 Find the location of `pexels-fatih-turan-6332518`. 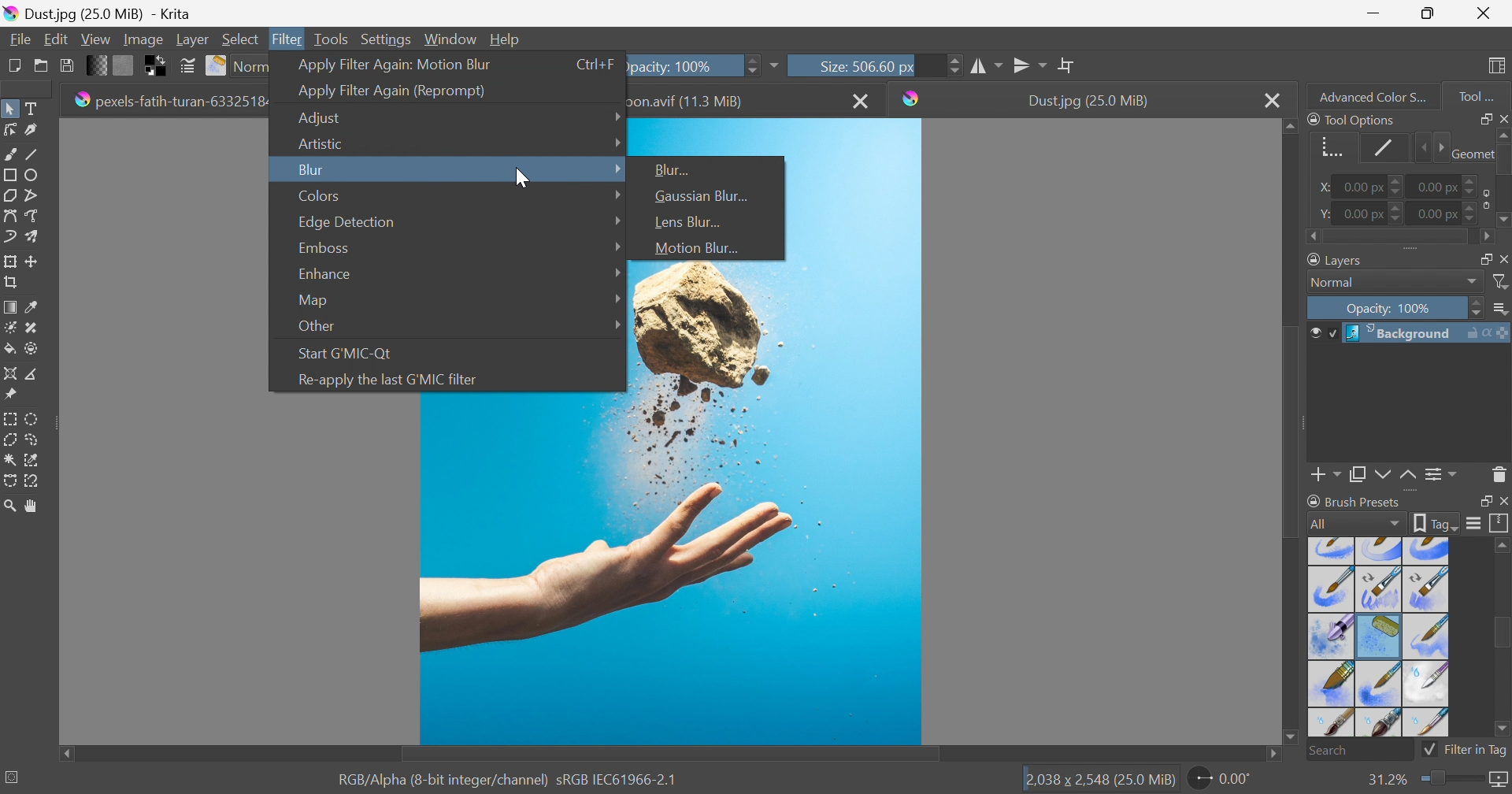

pexels-fatih-turan-6332518 is located at coordinates (169, 99).